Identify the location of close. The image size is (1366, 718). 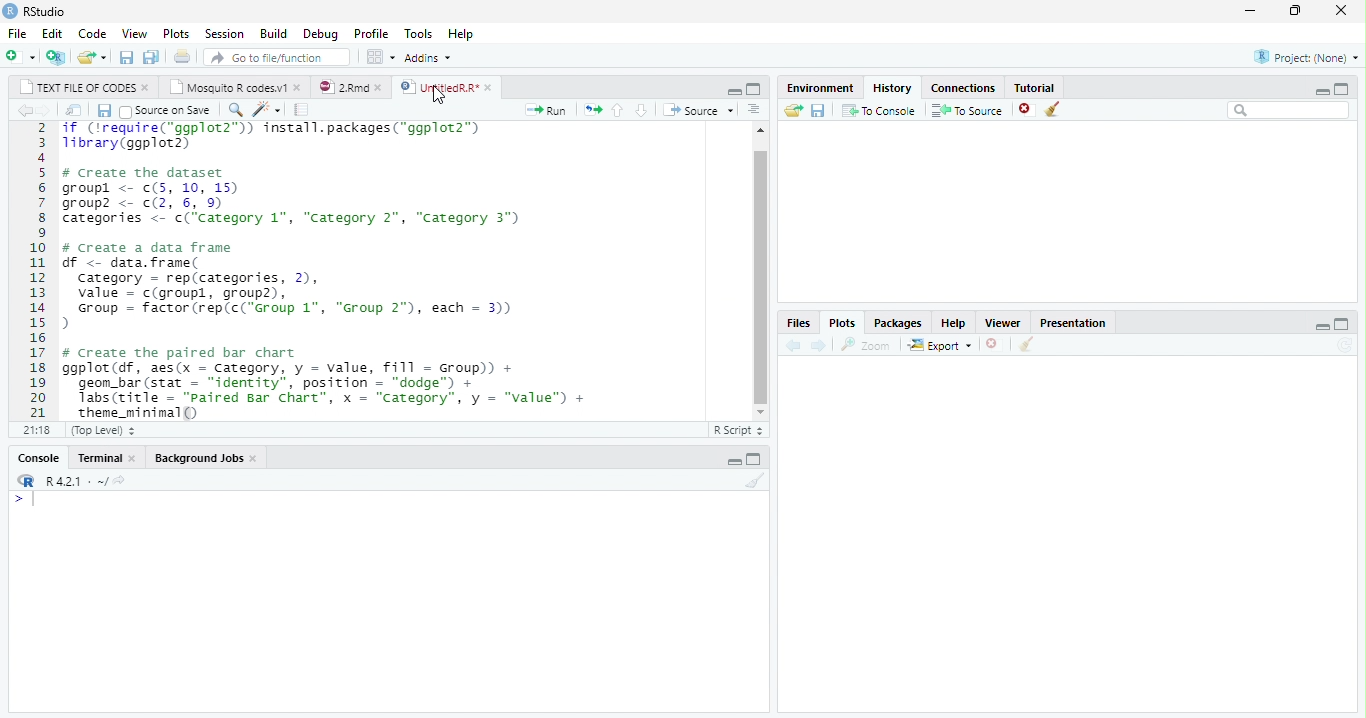
(254, 459).